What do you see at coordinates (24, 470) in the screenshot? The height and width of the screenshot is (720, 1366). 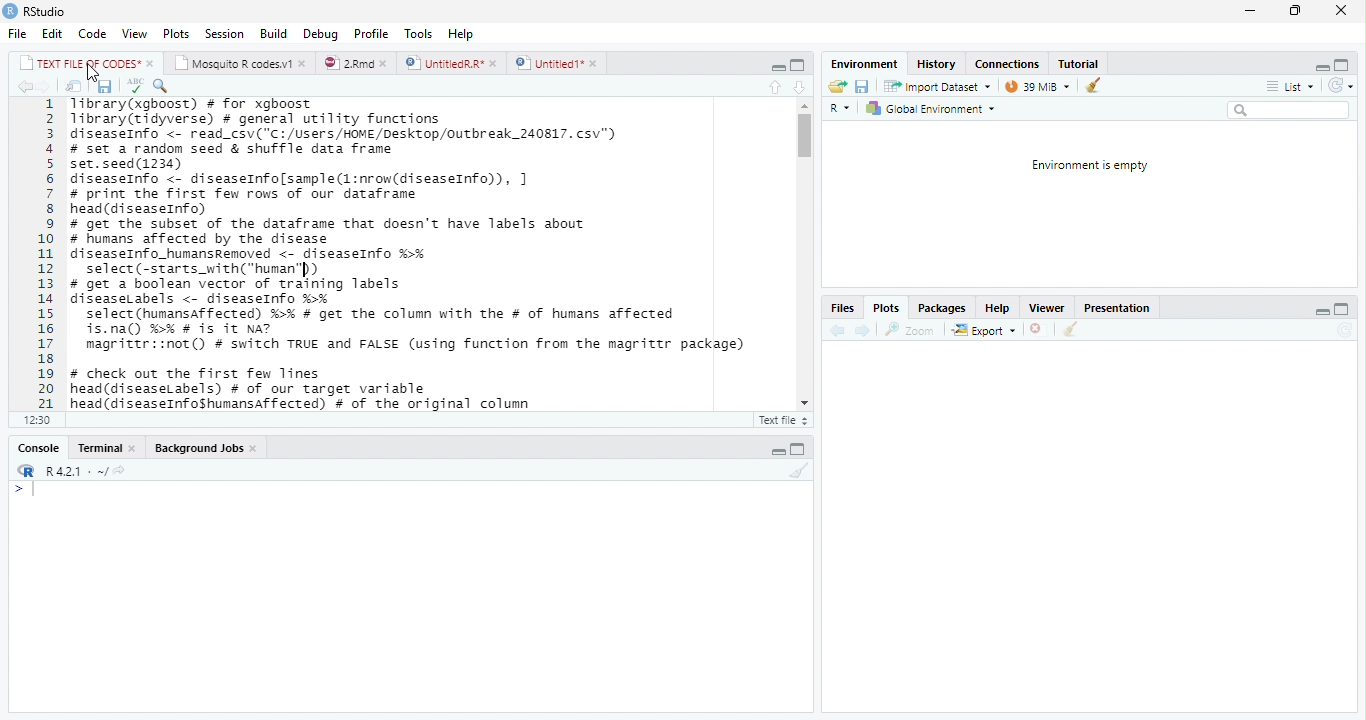 I see `R` at bounding box center [24, 470].